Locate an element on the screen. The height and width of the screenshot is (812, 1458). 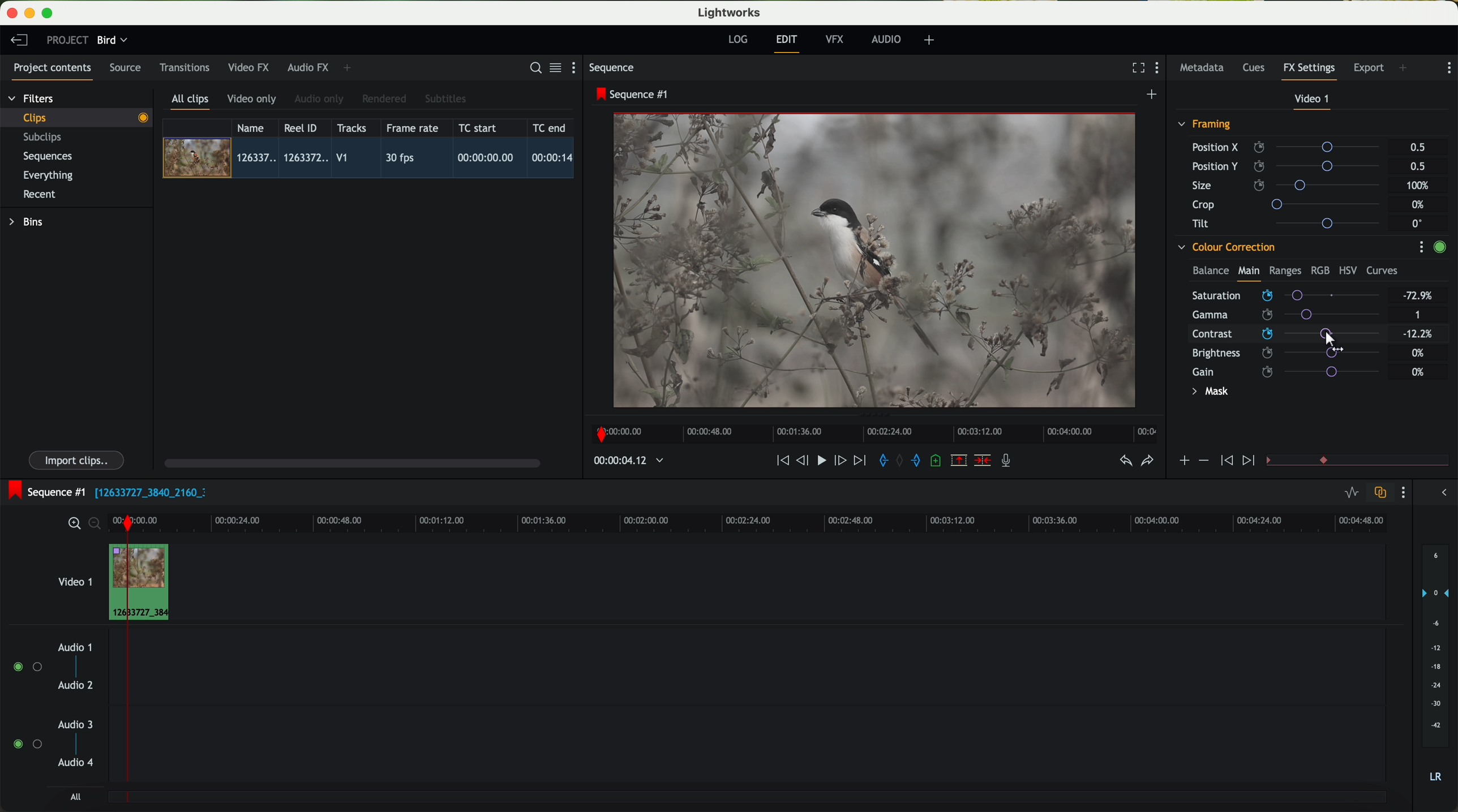
mouse up (saturation) is located at coordinates (1285, 293).